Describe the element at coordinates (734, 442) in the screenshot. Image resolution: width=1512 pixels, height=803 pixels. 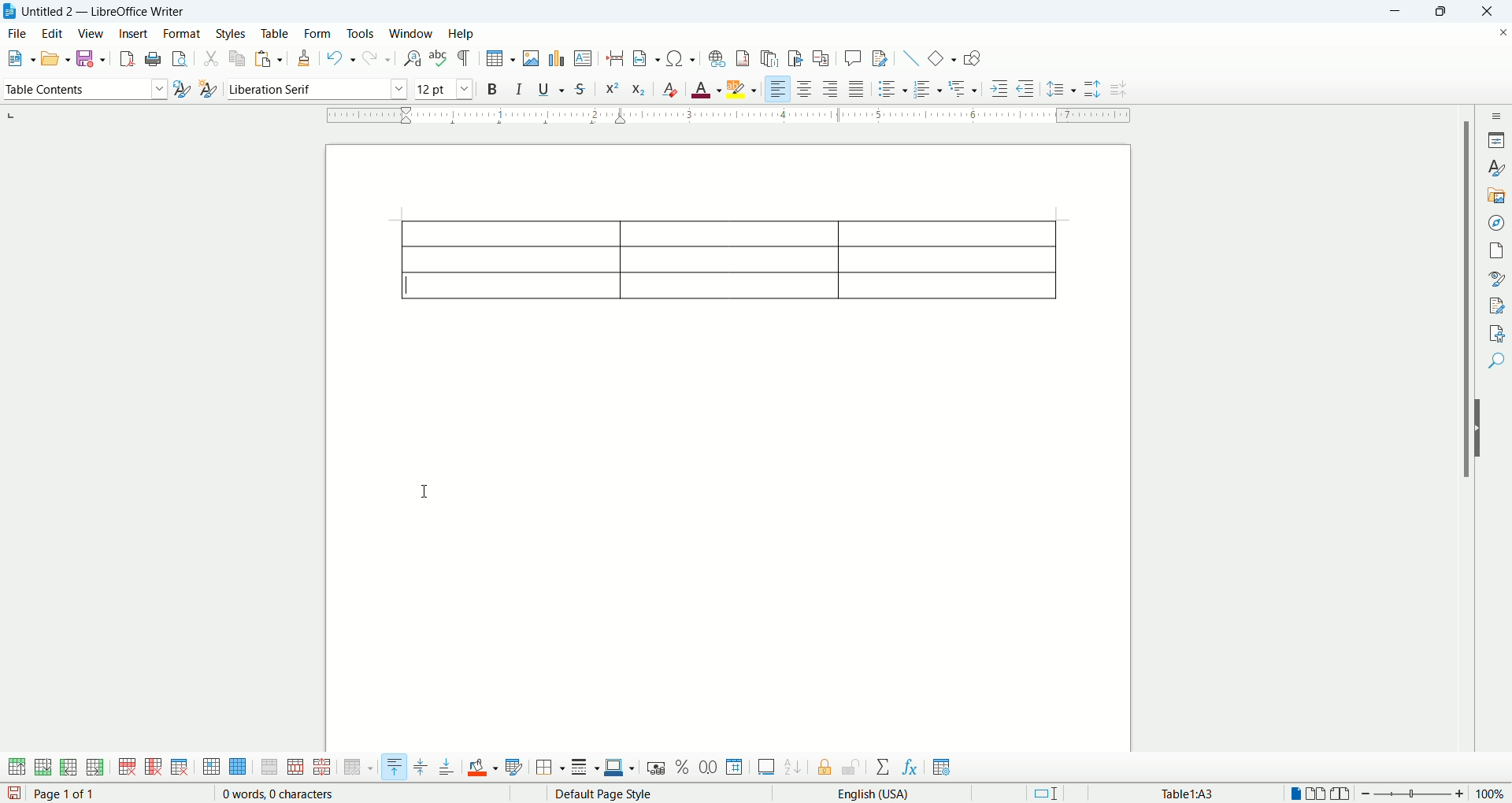
I see `page` at that location.